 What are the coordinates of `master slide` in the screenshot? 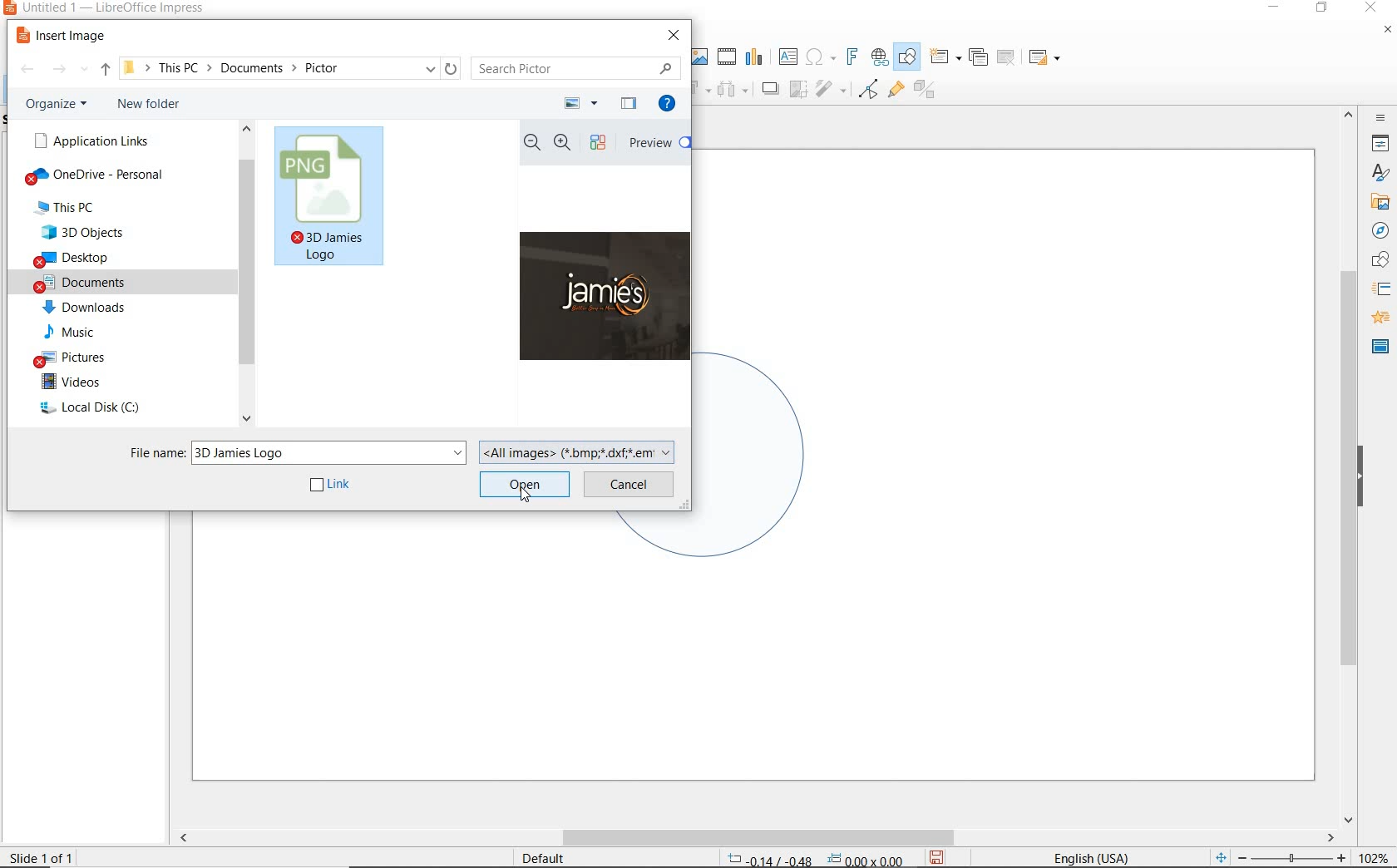 It's located at (1380, 345).